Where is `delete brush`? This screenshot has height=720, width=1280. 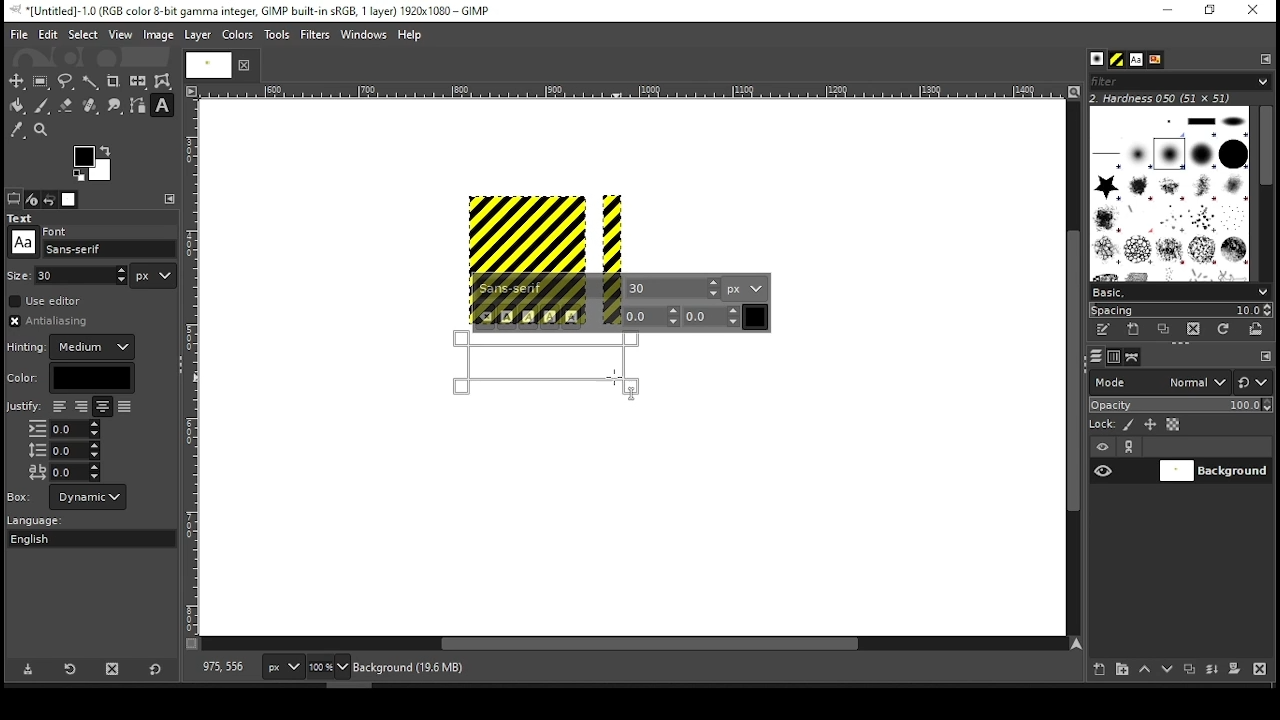
delete brush is located at coordinates (1196, 330).